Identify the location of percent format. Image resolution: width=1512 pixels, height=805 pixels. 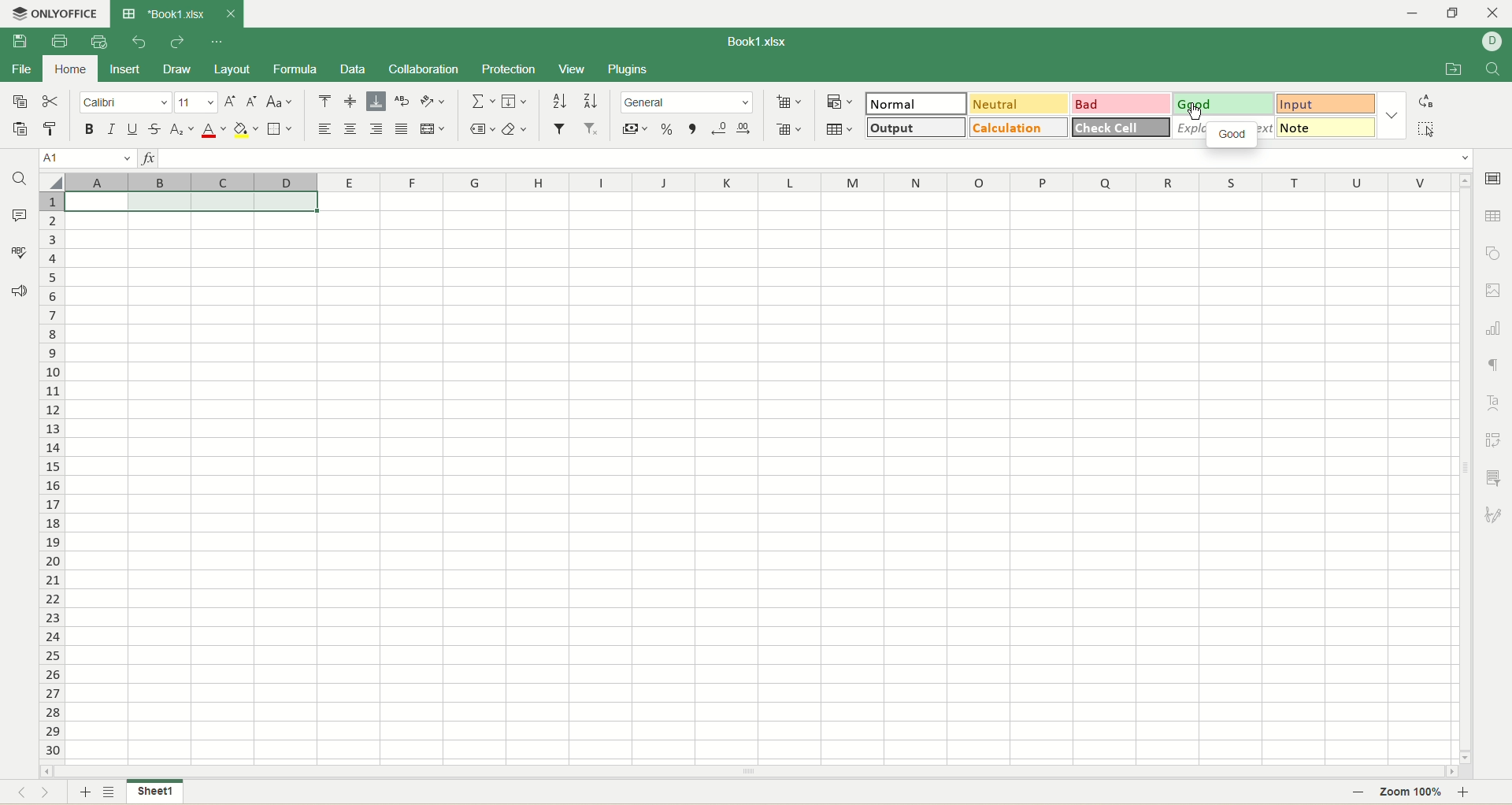
(667, 127).